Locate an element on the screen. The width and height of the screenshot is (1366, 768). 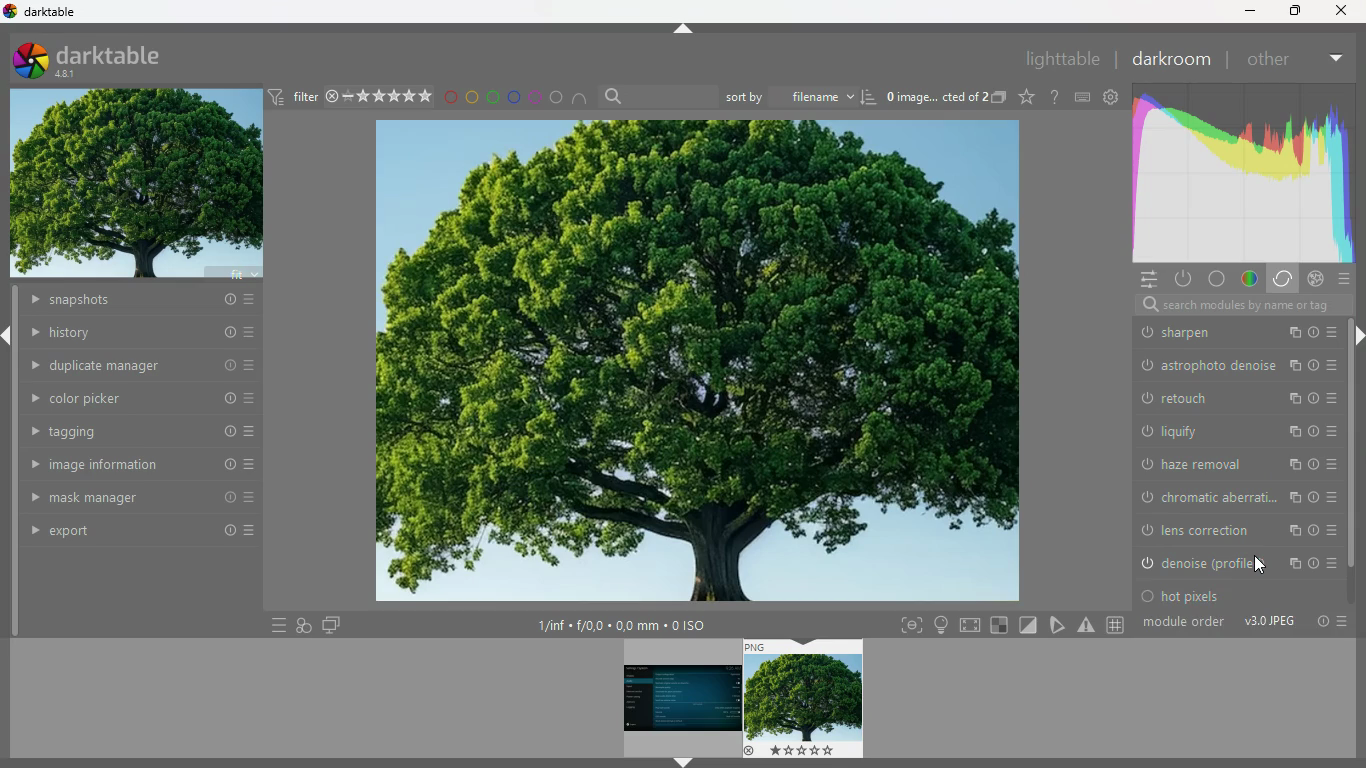
power is located at coordinates (1185, 280).